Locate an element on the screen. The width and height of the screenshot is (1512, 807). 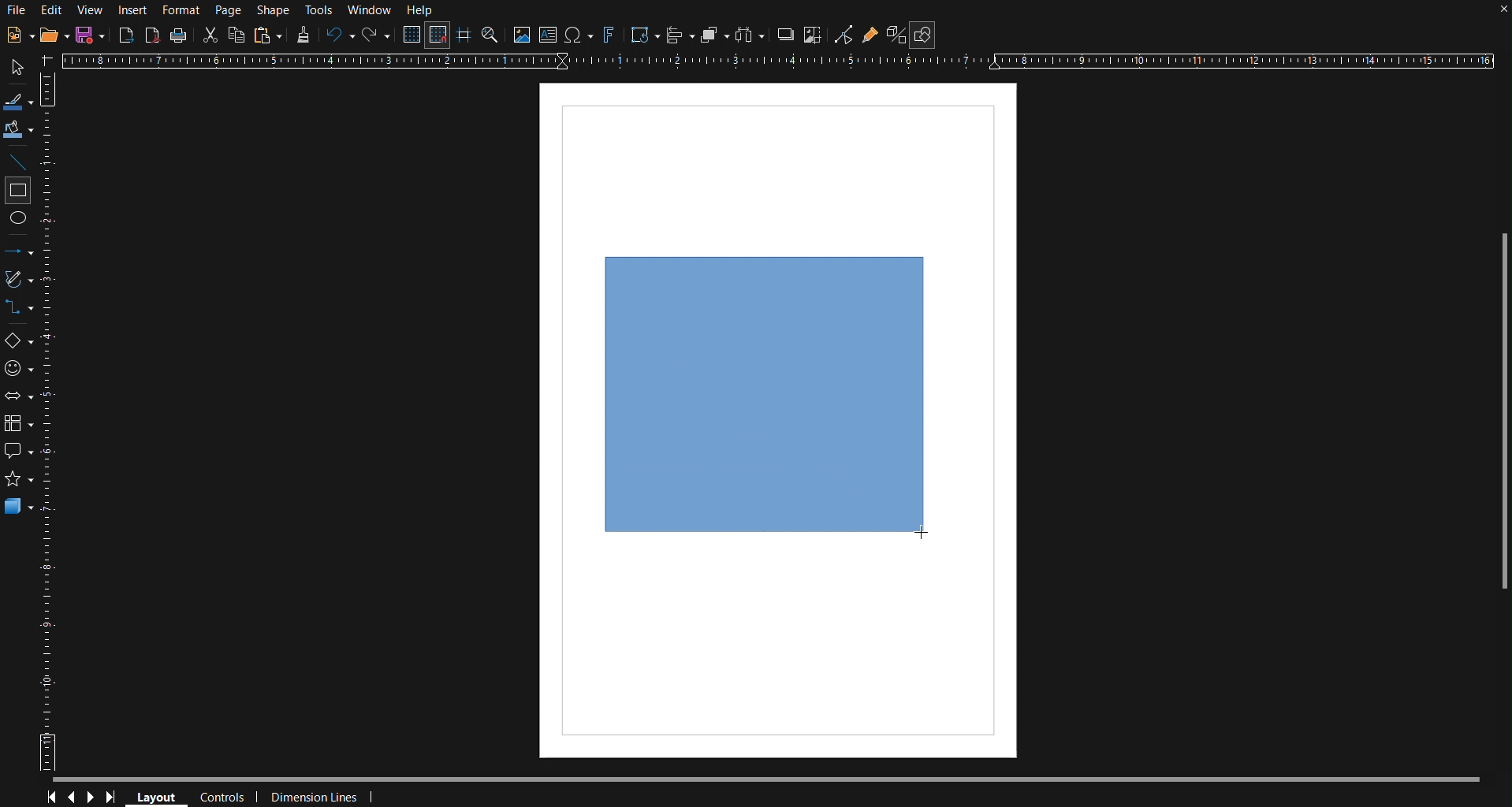
Lines and Arrows is located at coordinates (20, 251).